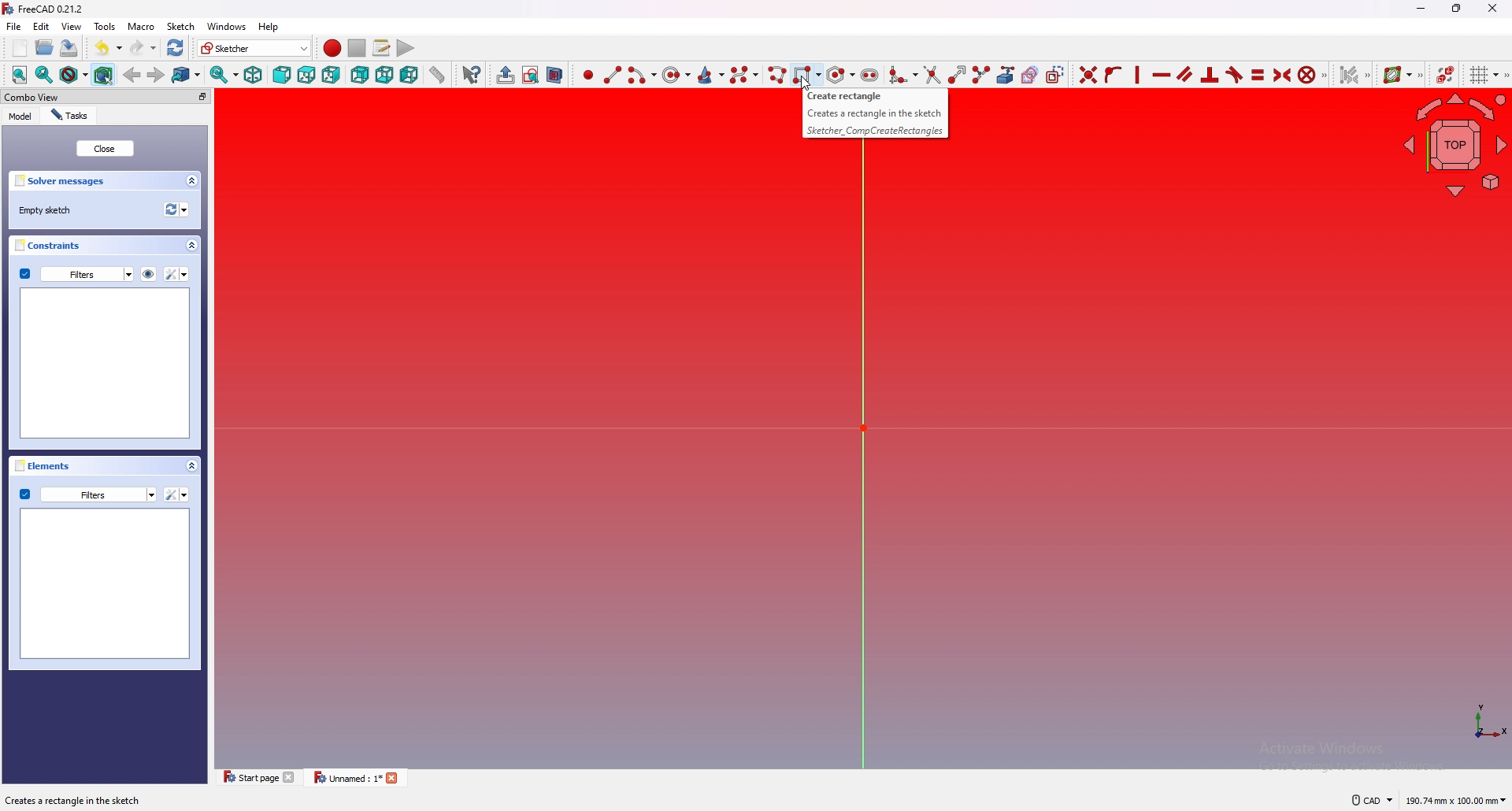 The height and width of the screenshot is (811, 1512). I want to click on draw style, so click(74, 75).